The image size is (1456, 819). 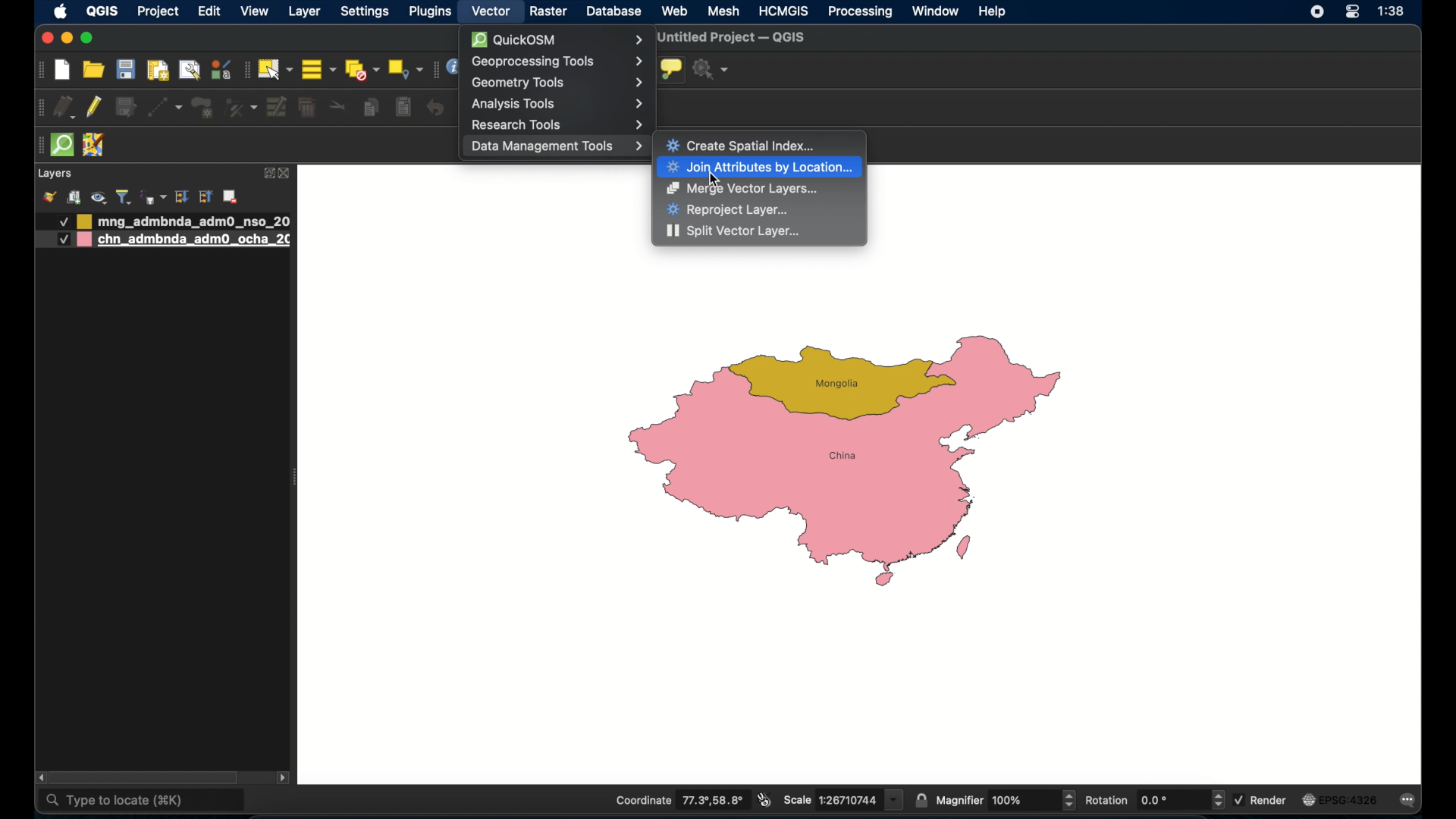 What do you see at coordinates (124, 196) in the screenshot?
I see `filter legend` at bounding box center [124, 196].